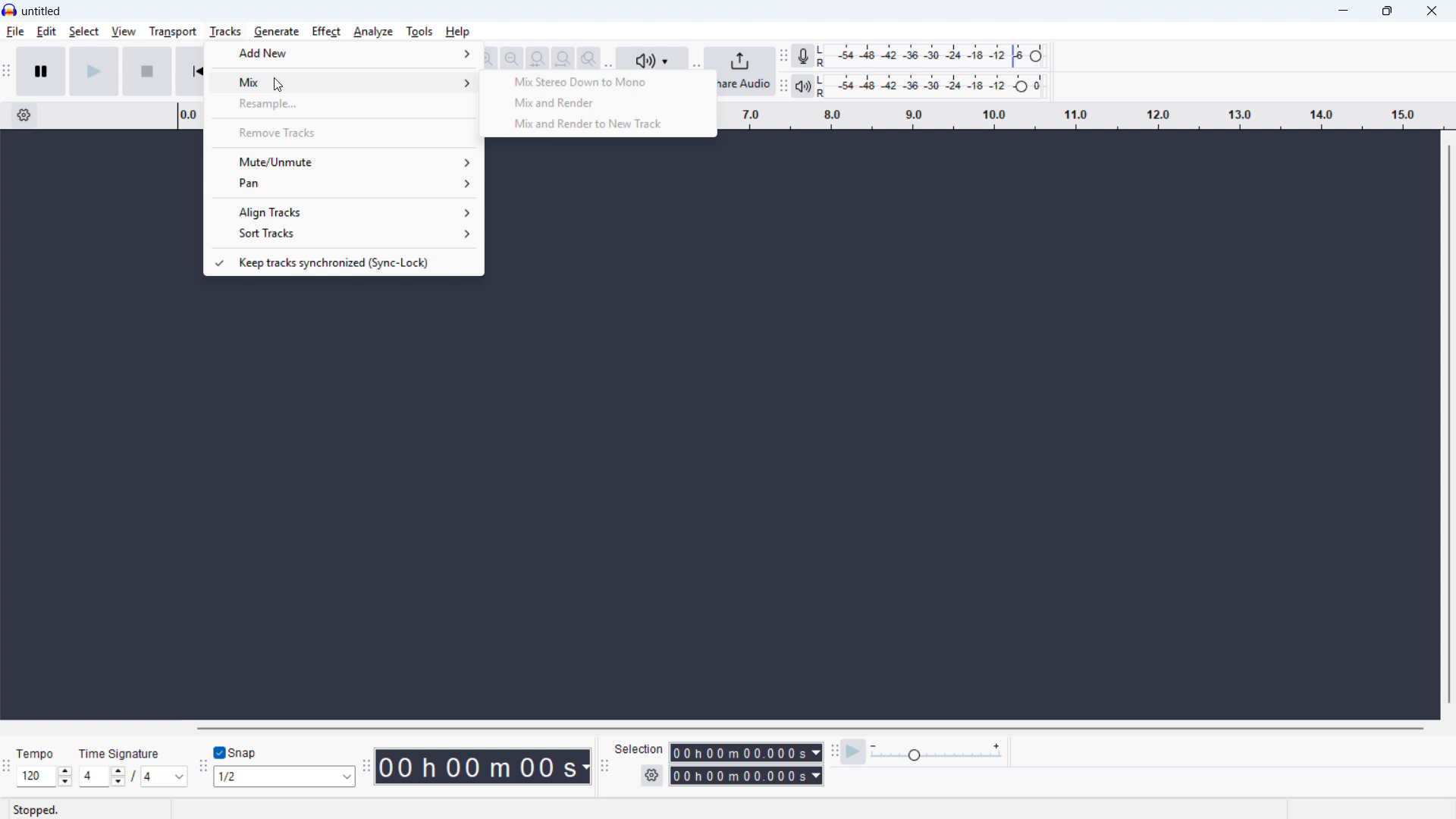  What do you see at coordinates (23, 115) in the screenshot?
I see `Timeline settings ` at bounding box center [23, 115].